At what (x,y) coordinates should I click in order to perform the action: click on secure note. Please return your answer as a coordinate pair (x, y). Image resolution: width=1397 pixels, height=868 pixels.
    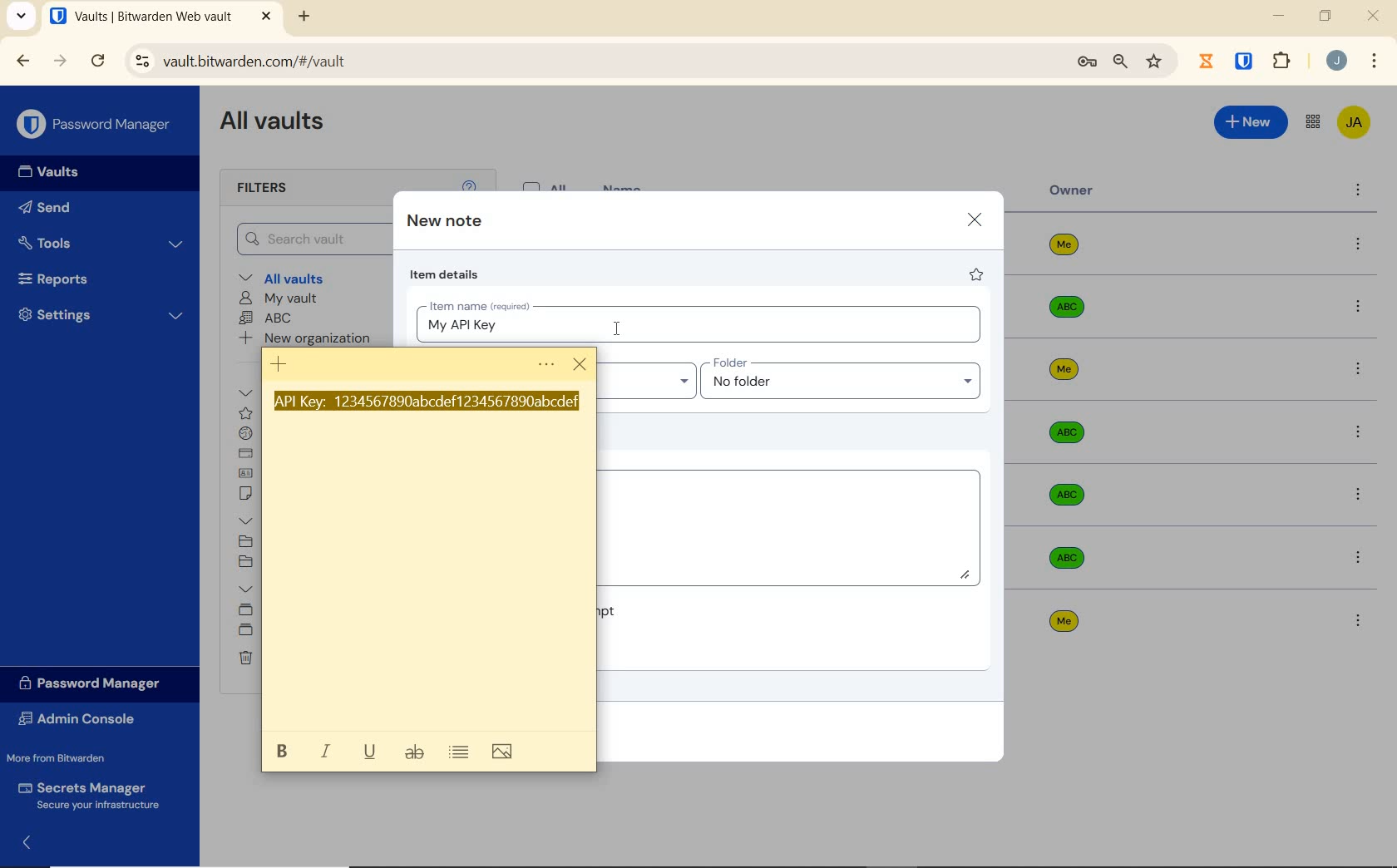
    Looking at the image, I should click on (250, 496).